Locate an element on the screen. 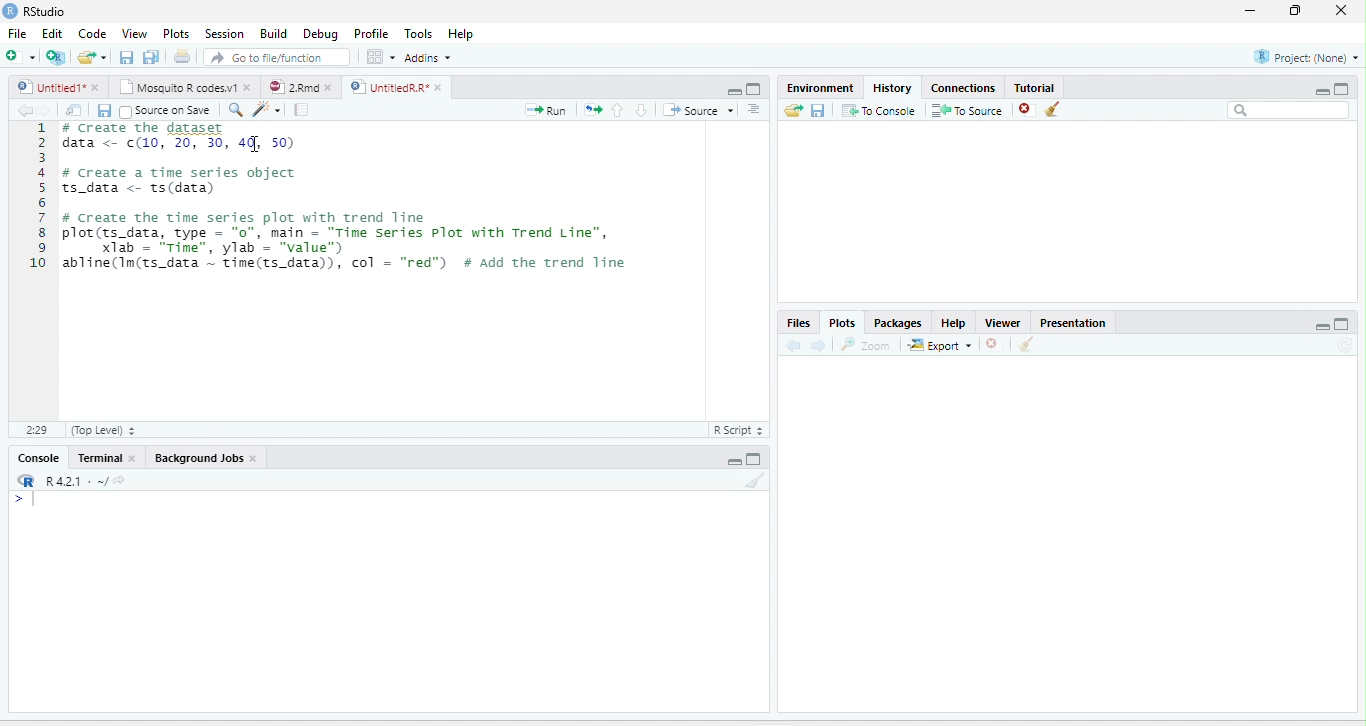  Save current document is located at coordinates (126, 56).